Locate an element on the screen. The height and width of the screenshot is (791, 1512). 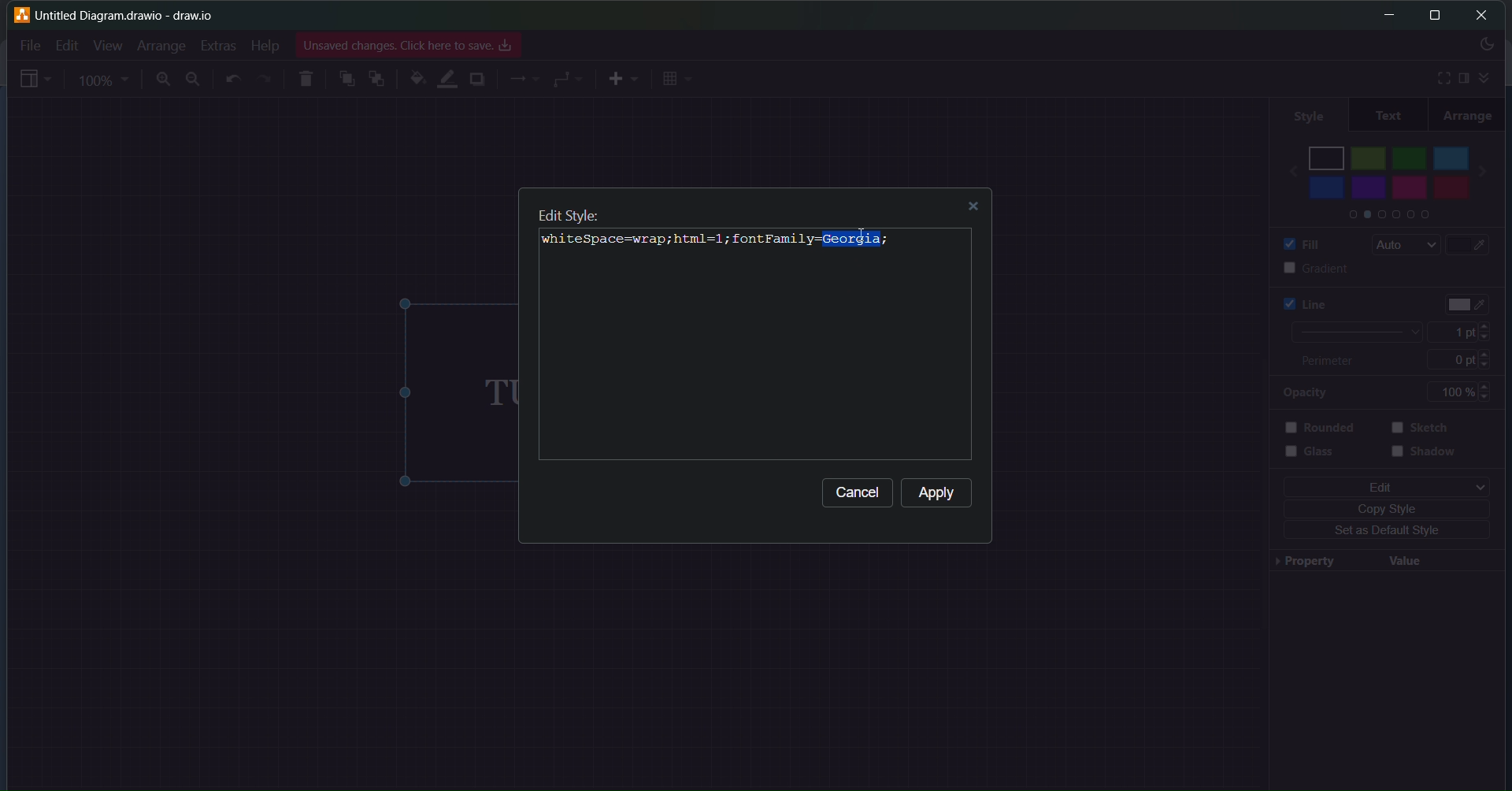
Help is located at coordinates (264, 46).